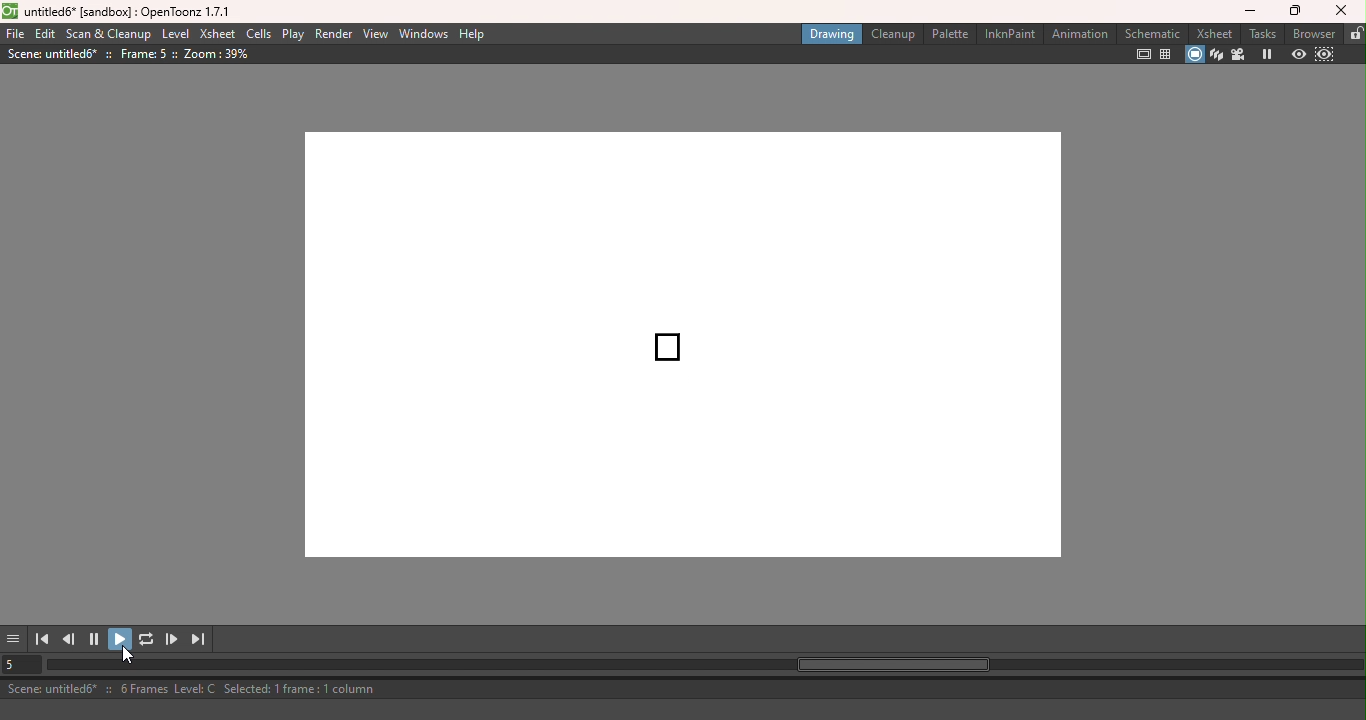  Describe the element at coordinates (1260, 34) in the screenshot. I see `Tasks` at that location.